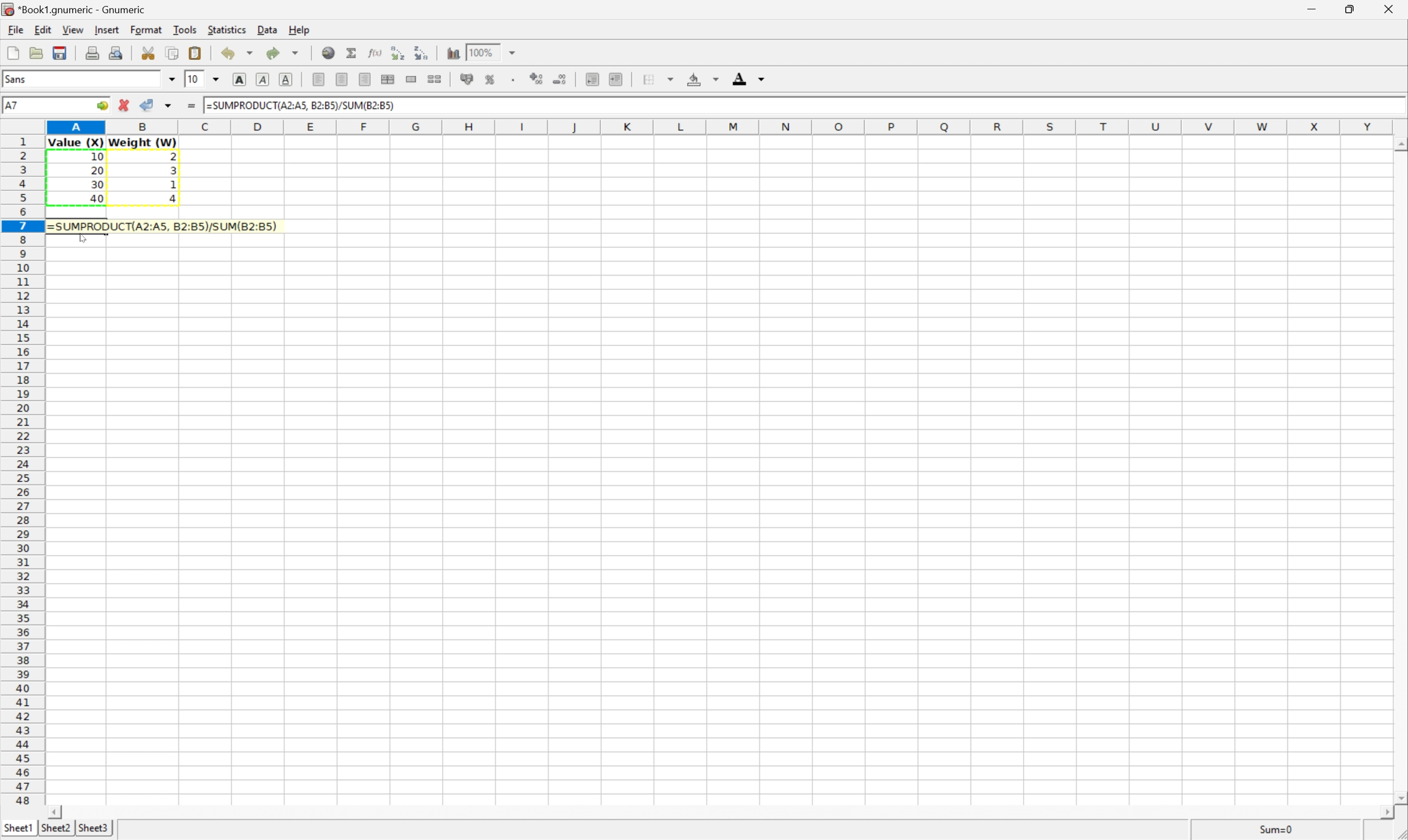 The height and width of the screenshot is (840, 1408). I want to click on Copy selection, so click(177, 53).